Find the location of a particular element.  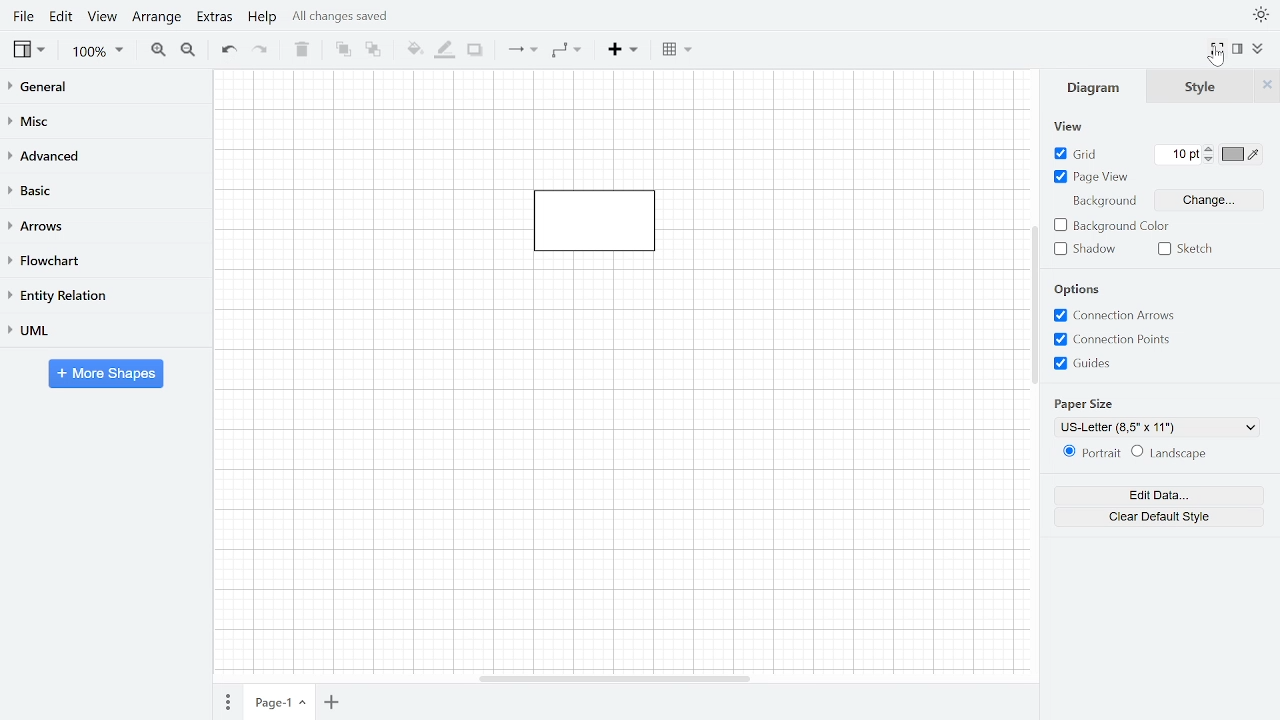

Table is located at coordinates (680, 52).